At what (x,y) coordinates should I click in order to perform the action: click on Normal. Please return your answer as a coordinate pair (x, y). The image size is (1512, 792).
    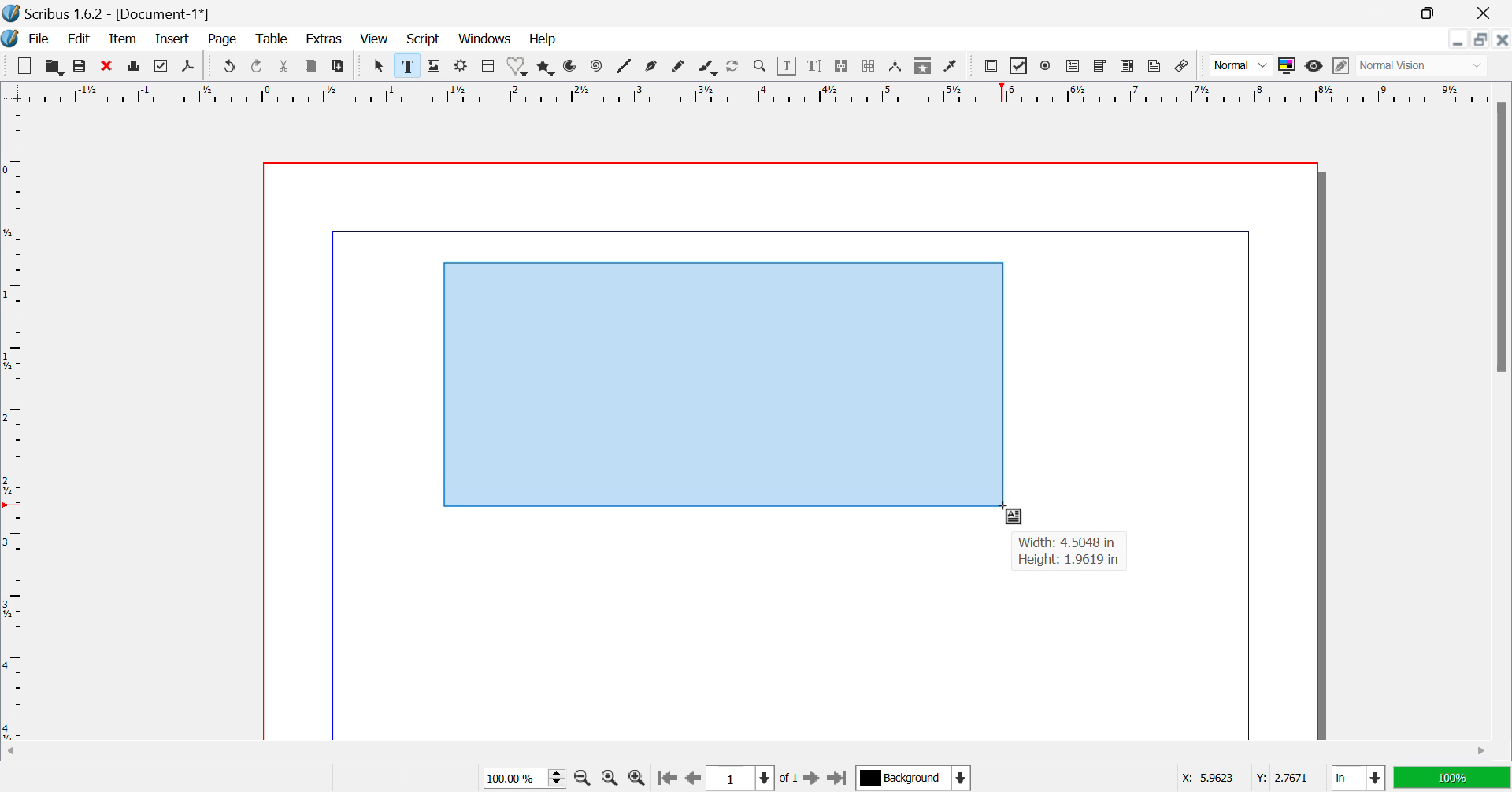
    Looking at the image, I should click on (1241, 68).